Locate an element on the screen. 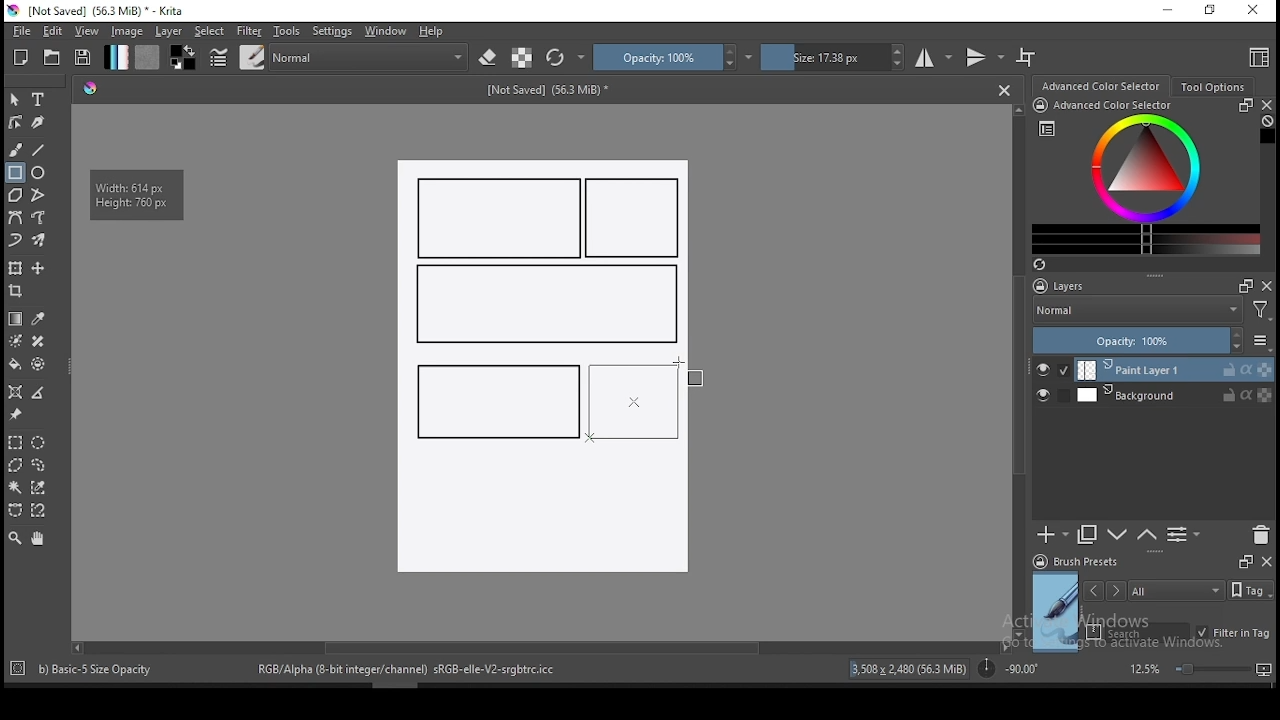 This screenshot has width=1280, height=720. brush presets is located at coordinates (1082, 562).